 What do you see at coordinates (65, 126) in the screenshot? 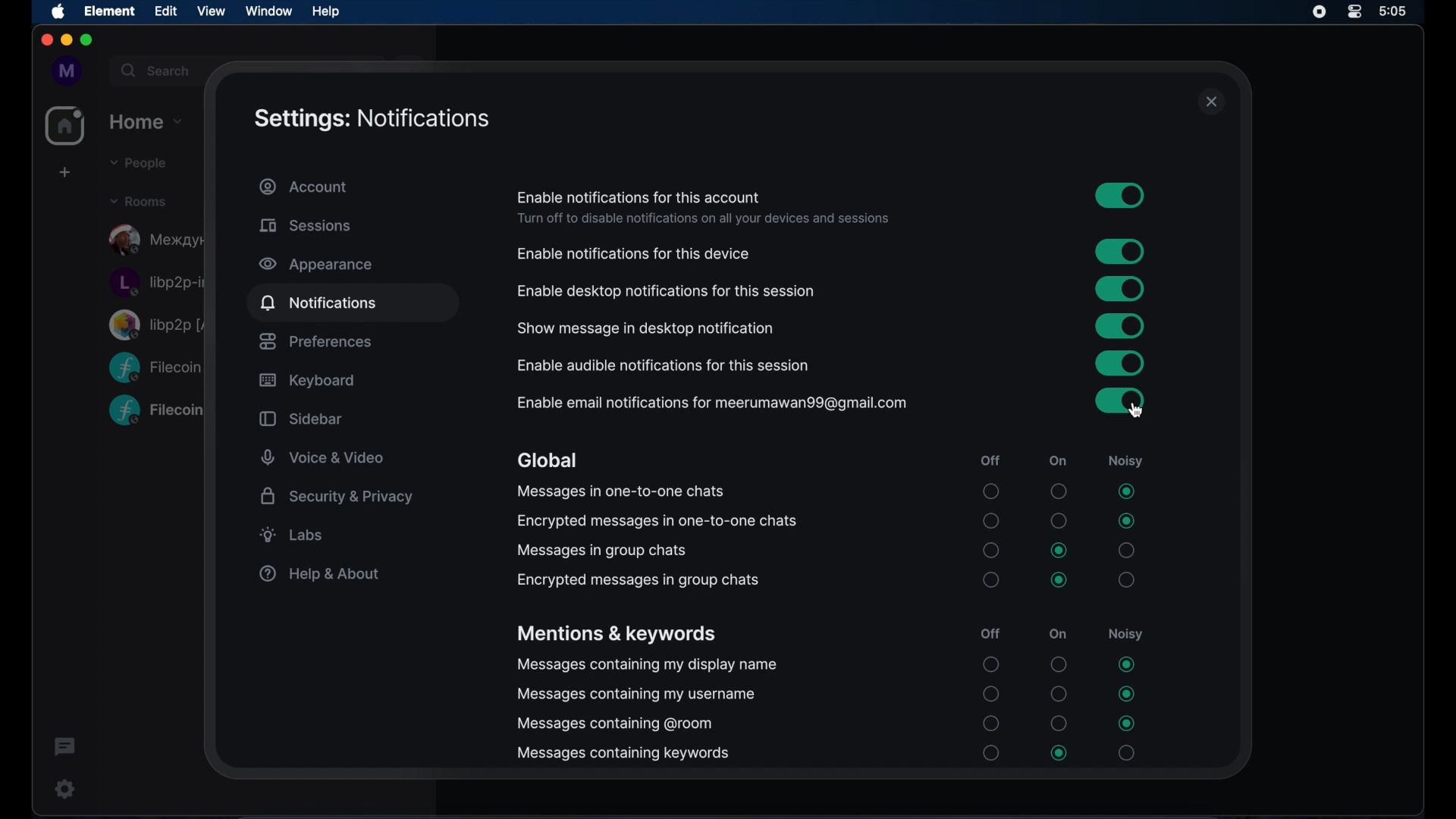
I see `home` at bounding box center [65, 126].